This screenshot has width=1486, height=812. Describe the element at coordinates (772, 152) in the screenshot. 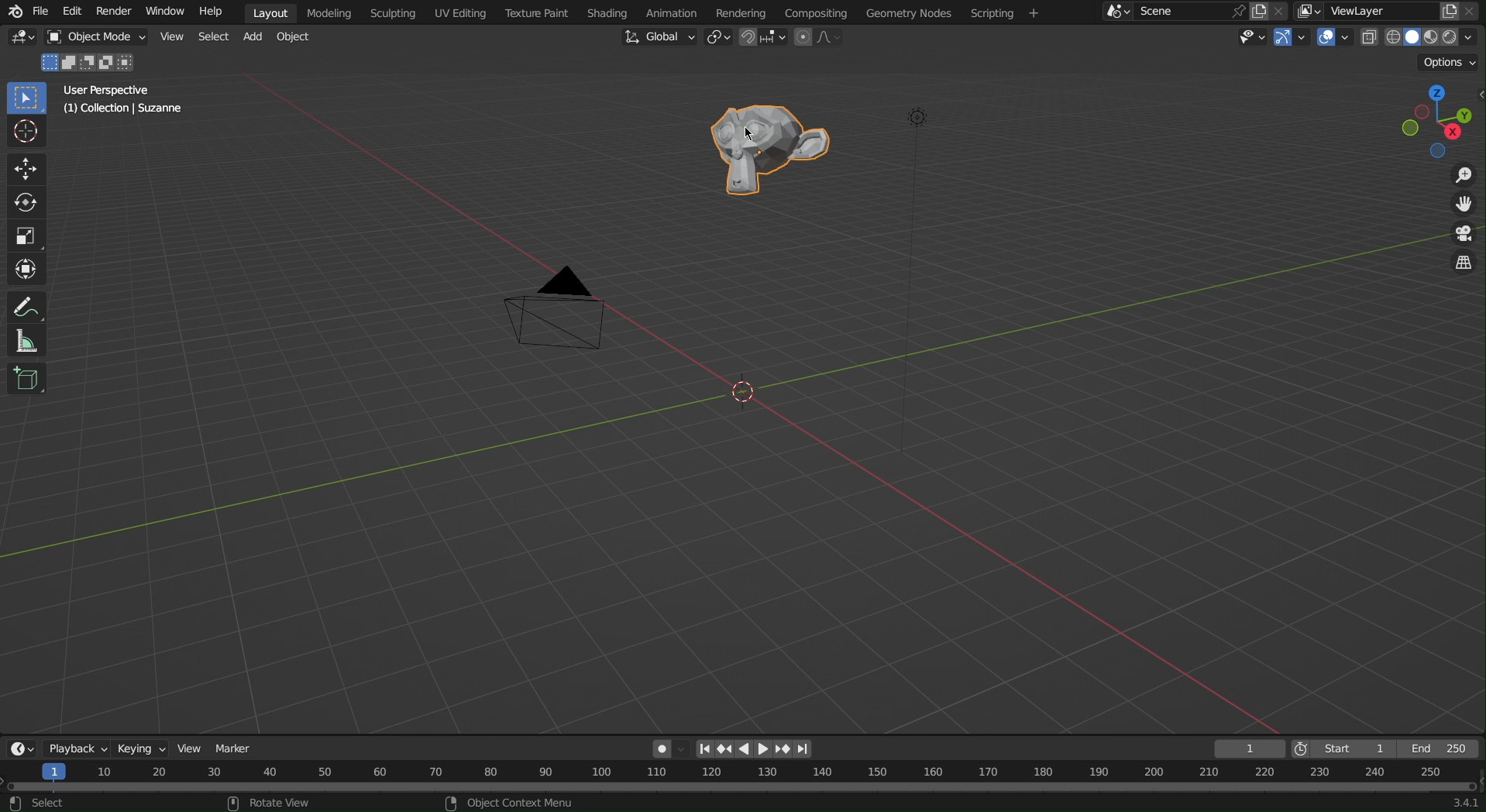

I see `Suzanne (selected)` at that location.